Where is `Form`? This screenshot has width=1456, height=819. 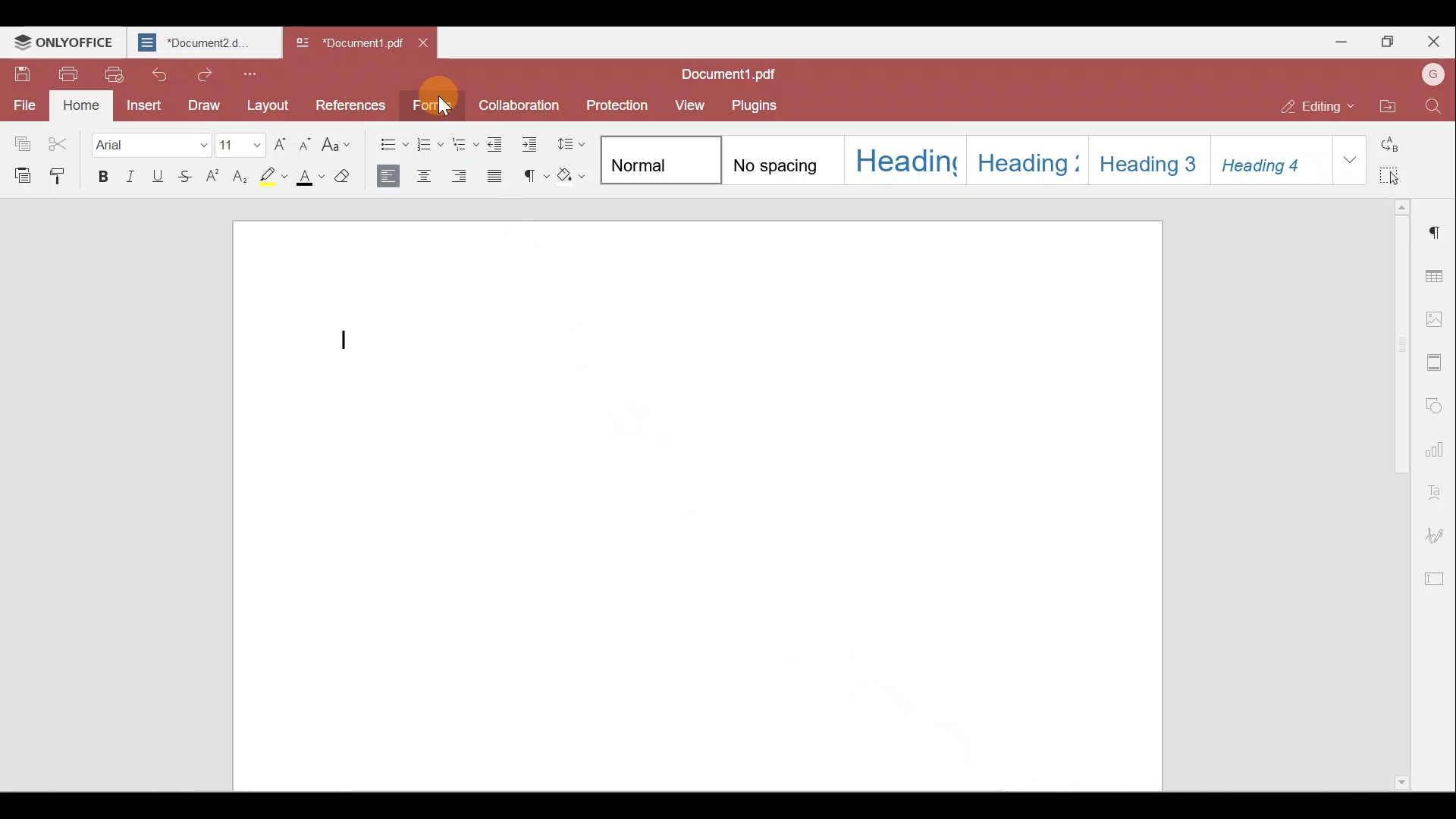 Form is located at coordinates (434, 107).